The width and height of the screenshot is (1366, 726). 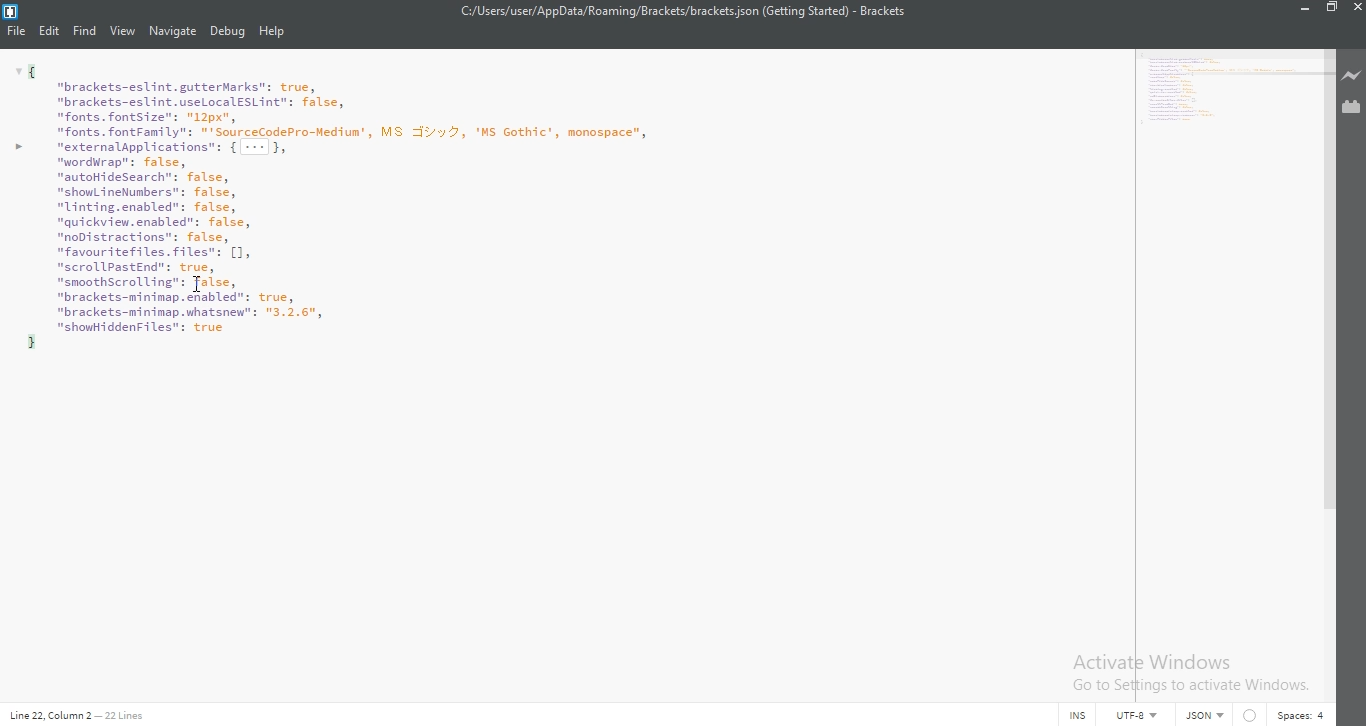 I want to click on Restore, so click(x=1330, y=8).